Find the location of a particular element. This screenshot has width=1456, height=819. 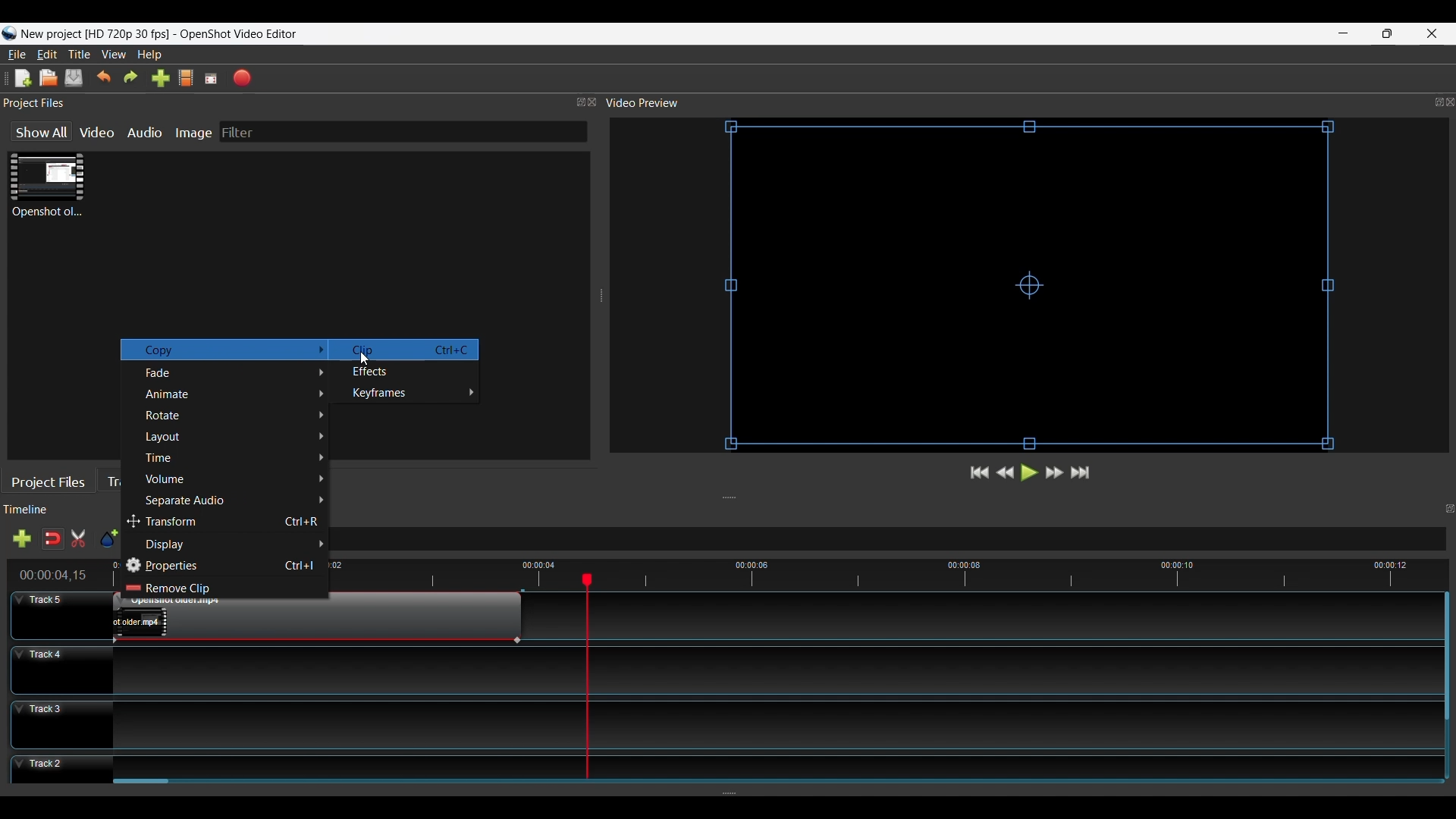

Keyframes is located at coordinates (406, 395).